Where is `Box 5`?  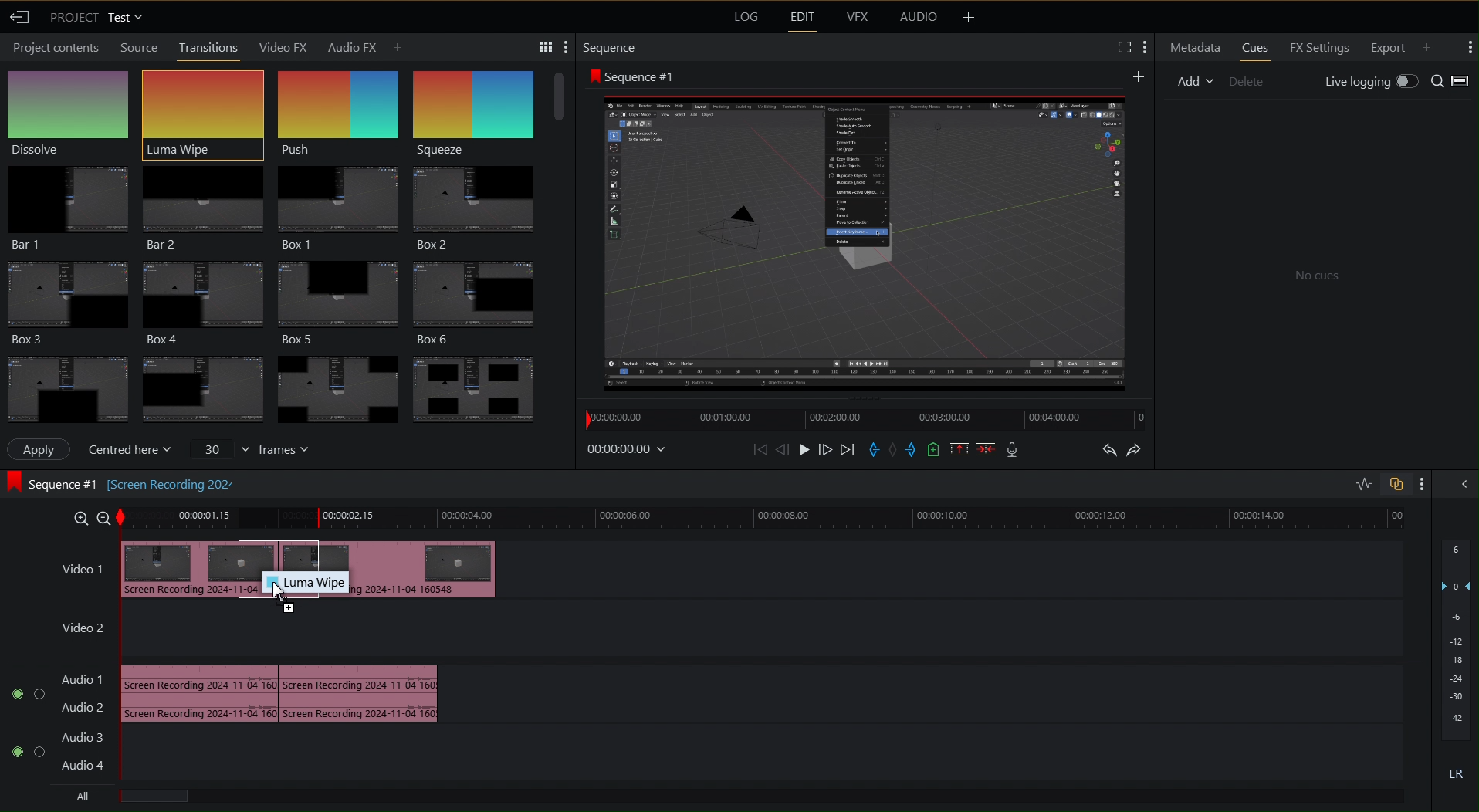
Box 5 is located at coordinates (341, 297).